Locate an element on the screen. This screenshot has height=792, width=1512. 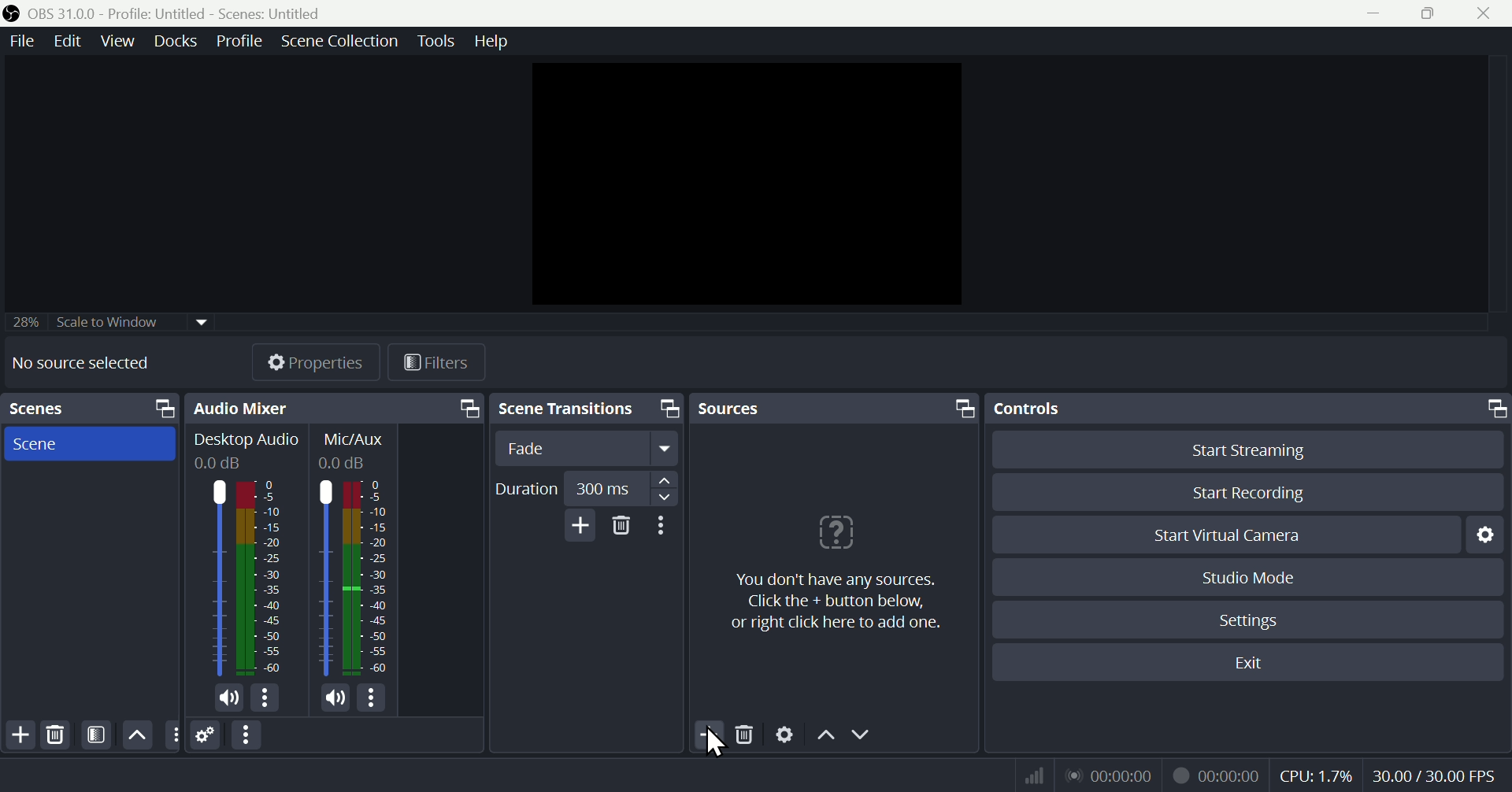
(un)mute is located at coordinates (230, 701).